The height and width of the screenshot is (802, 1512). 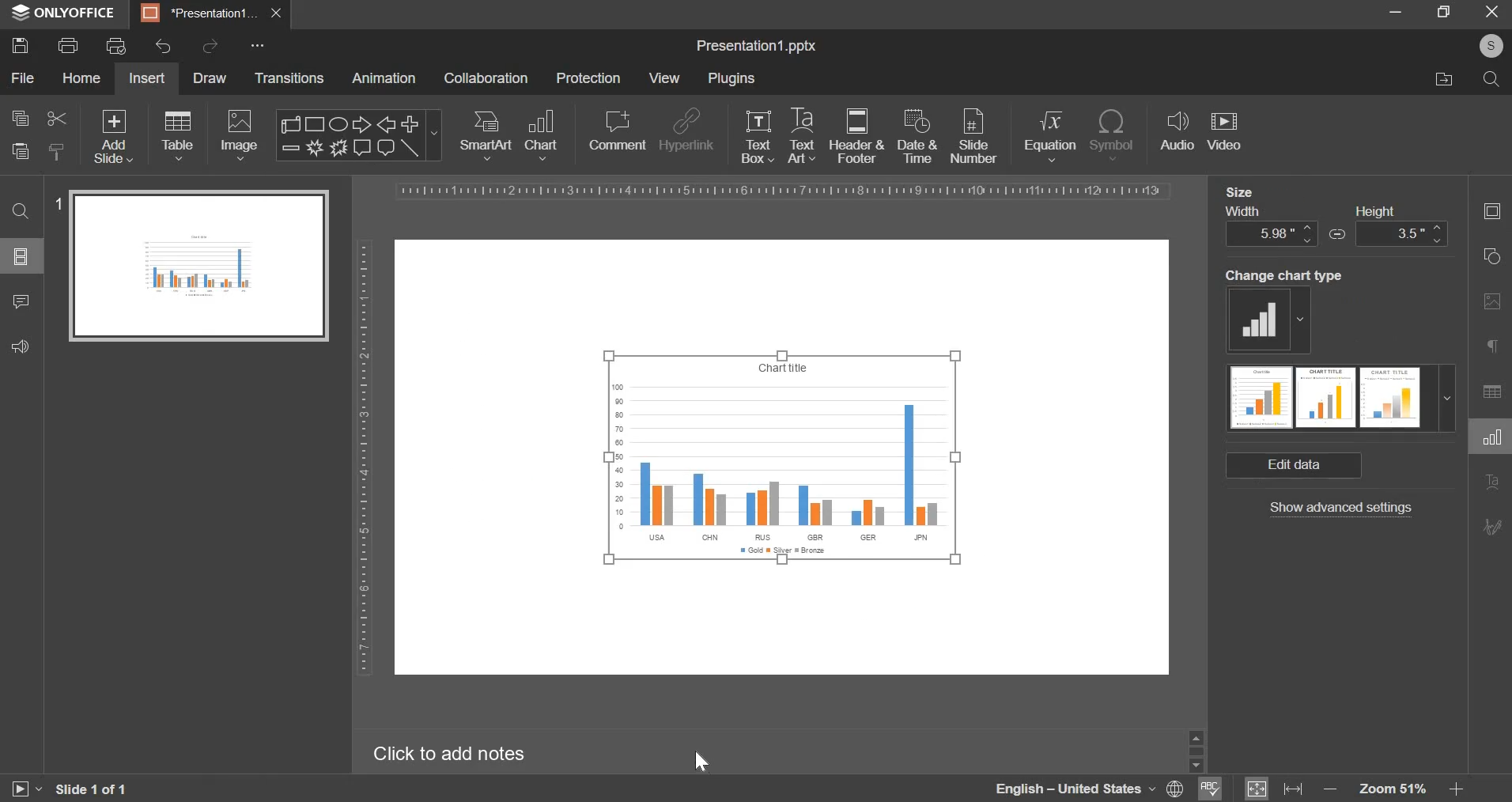 What do you see at coordinates (459, 753) in the screenshot?
I see `click to add notes` at bounding box center [459, 753].